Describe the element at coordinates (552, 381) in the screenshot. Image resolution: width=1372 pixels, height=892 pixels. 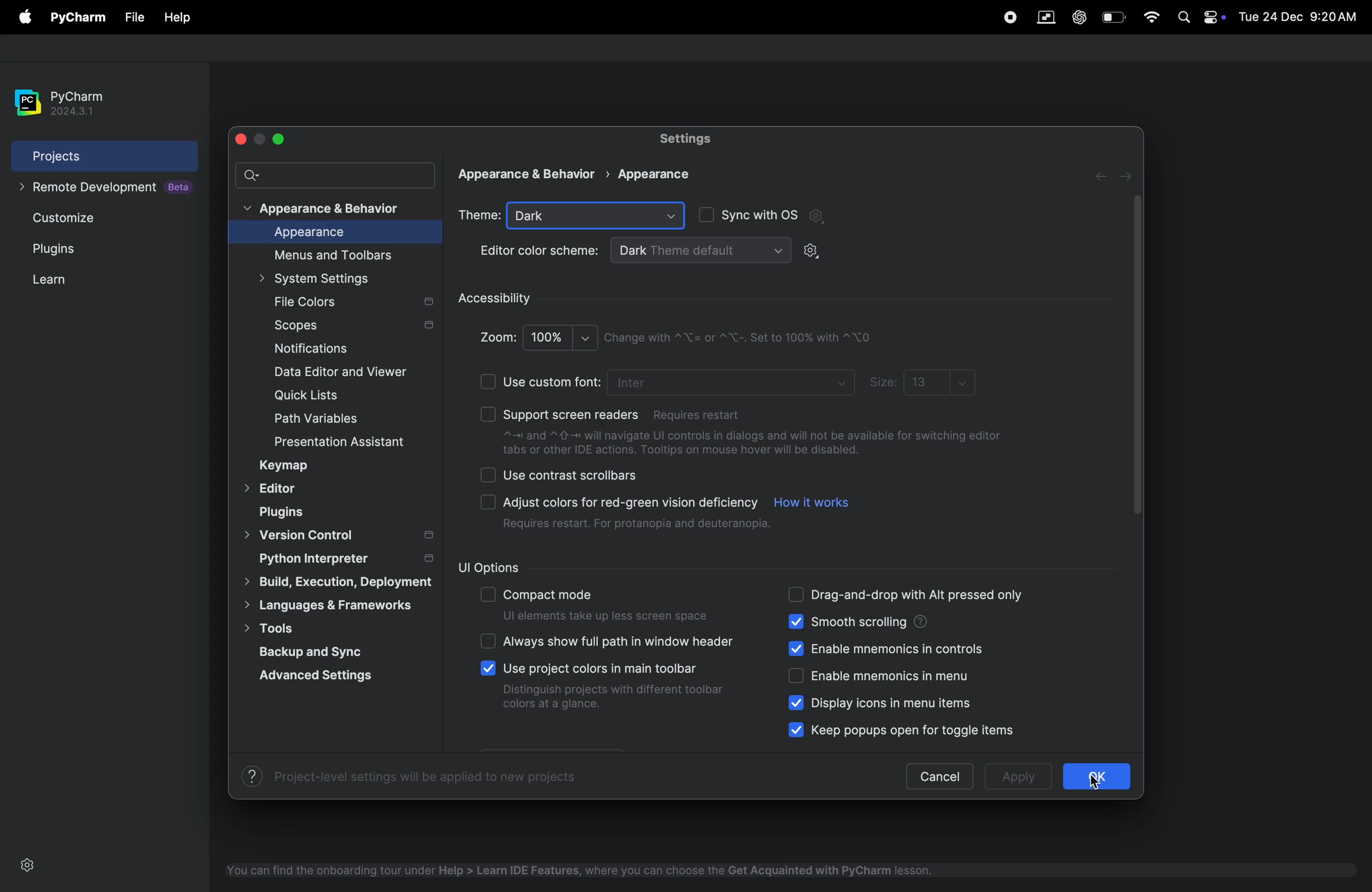
I see `use custom font` at that location.